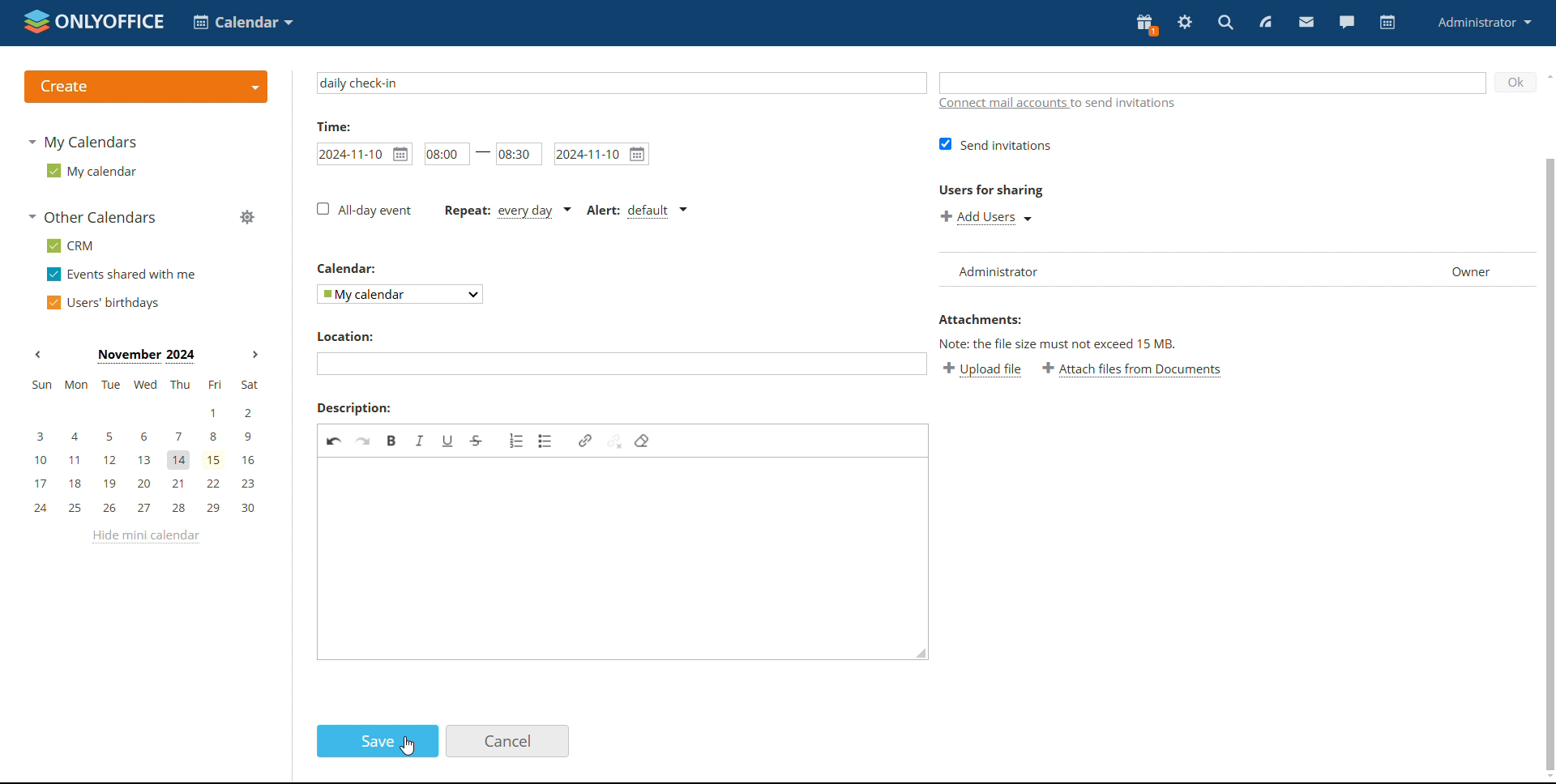 Image resolution: width=1556 pixels, height=784 pixels. I want to click on time:, so click(341, 128).